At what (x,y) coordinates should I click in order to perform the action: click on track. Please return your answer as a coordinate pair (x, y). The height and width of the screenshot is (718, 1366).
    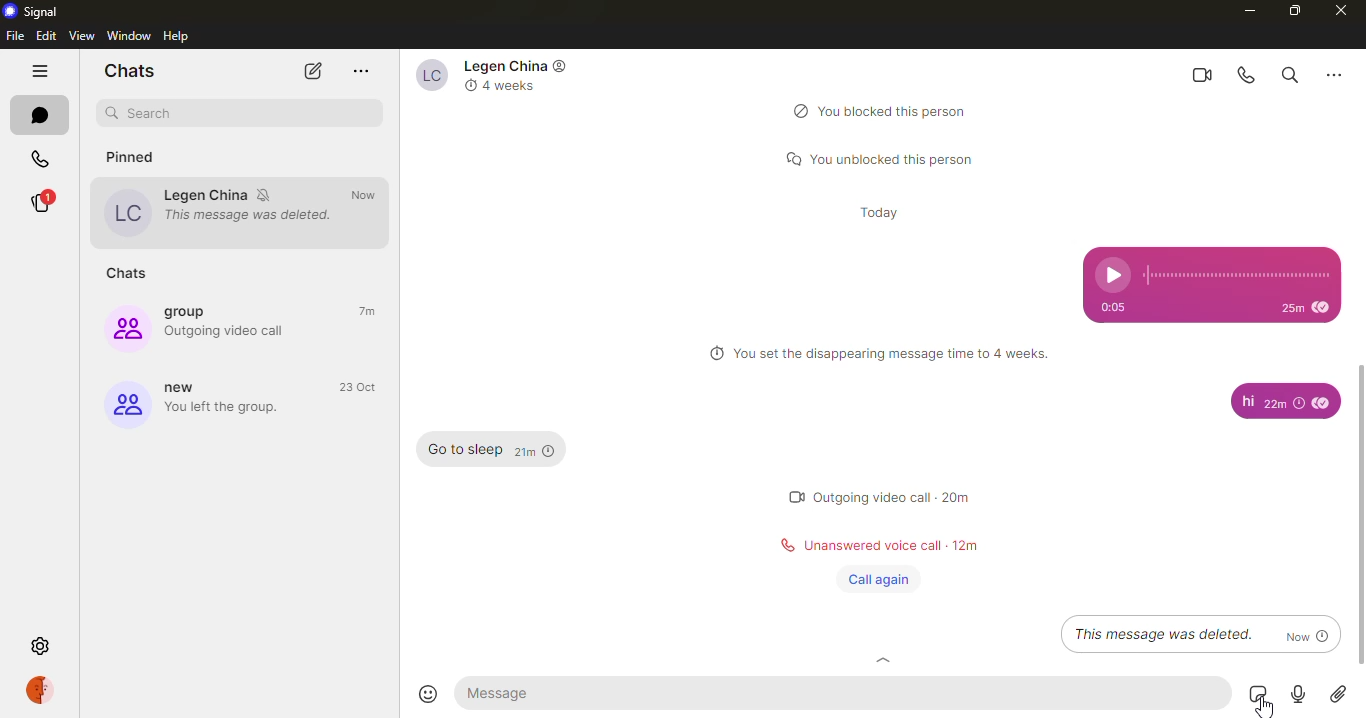
    Looking at the image, I should click on (1237, 275).